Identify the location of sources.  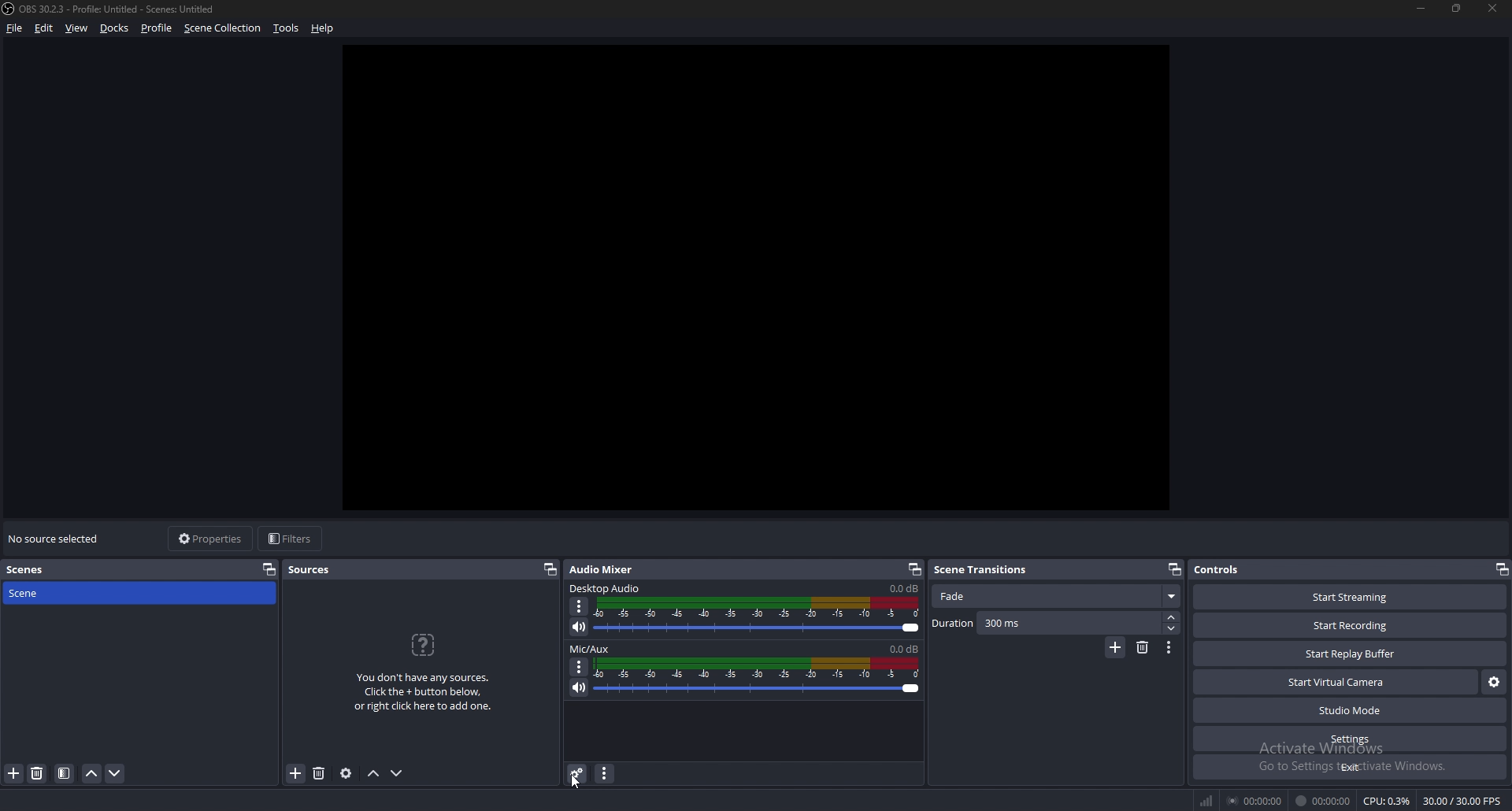
(312, 569).